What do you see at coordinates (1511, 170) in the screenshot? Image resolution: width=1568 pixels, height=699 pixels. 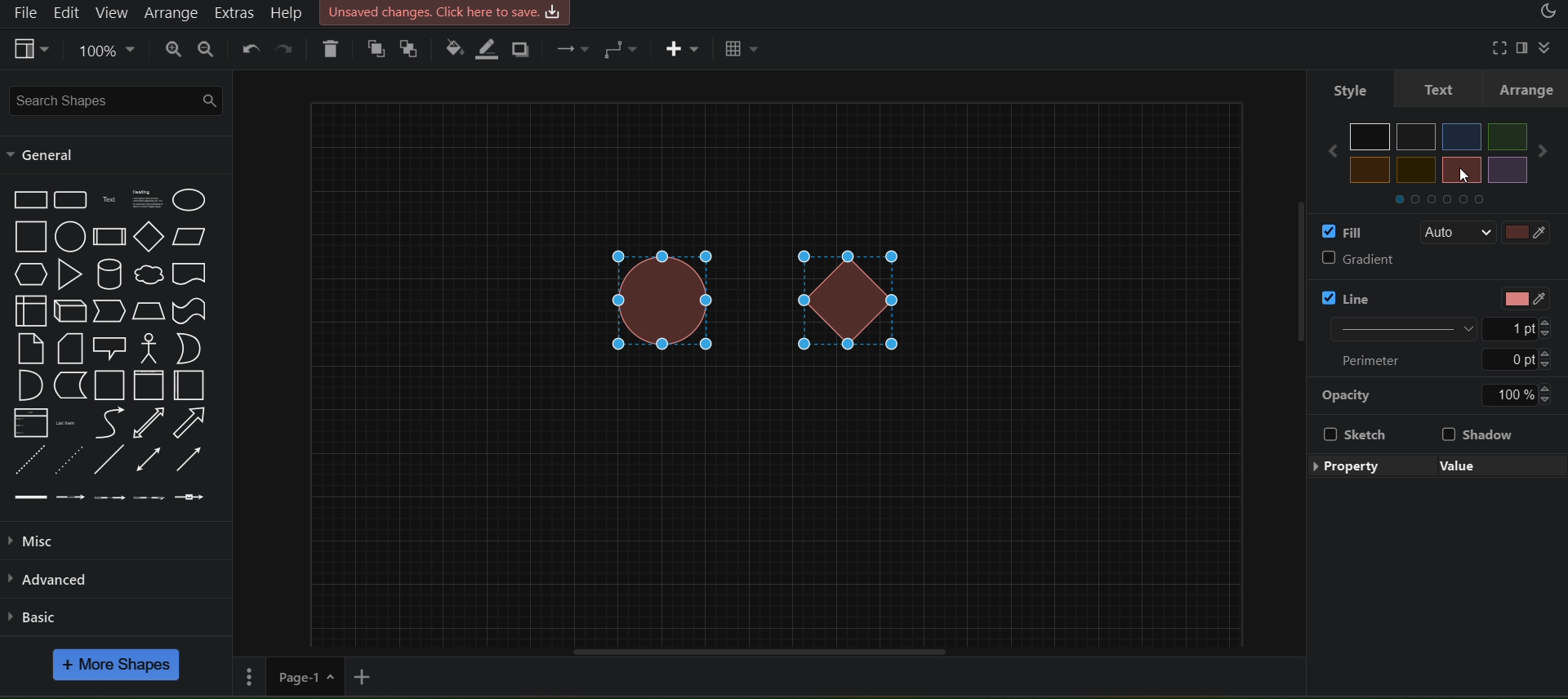 I see `` at bounding box center [1511, 170].